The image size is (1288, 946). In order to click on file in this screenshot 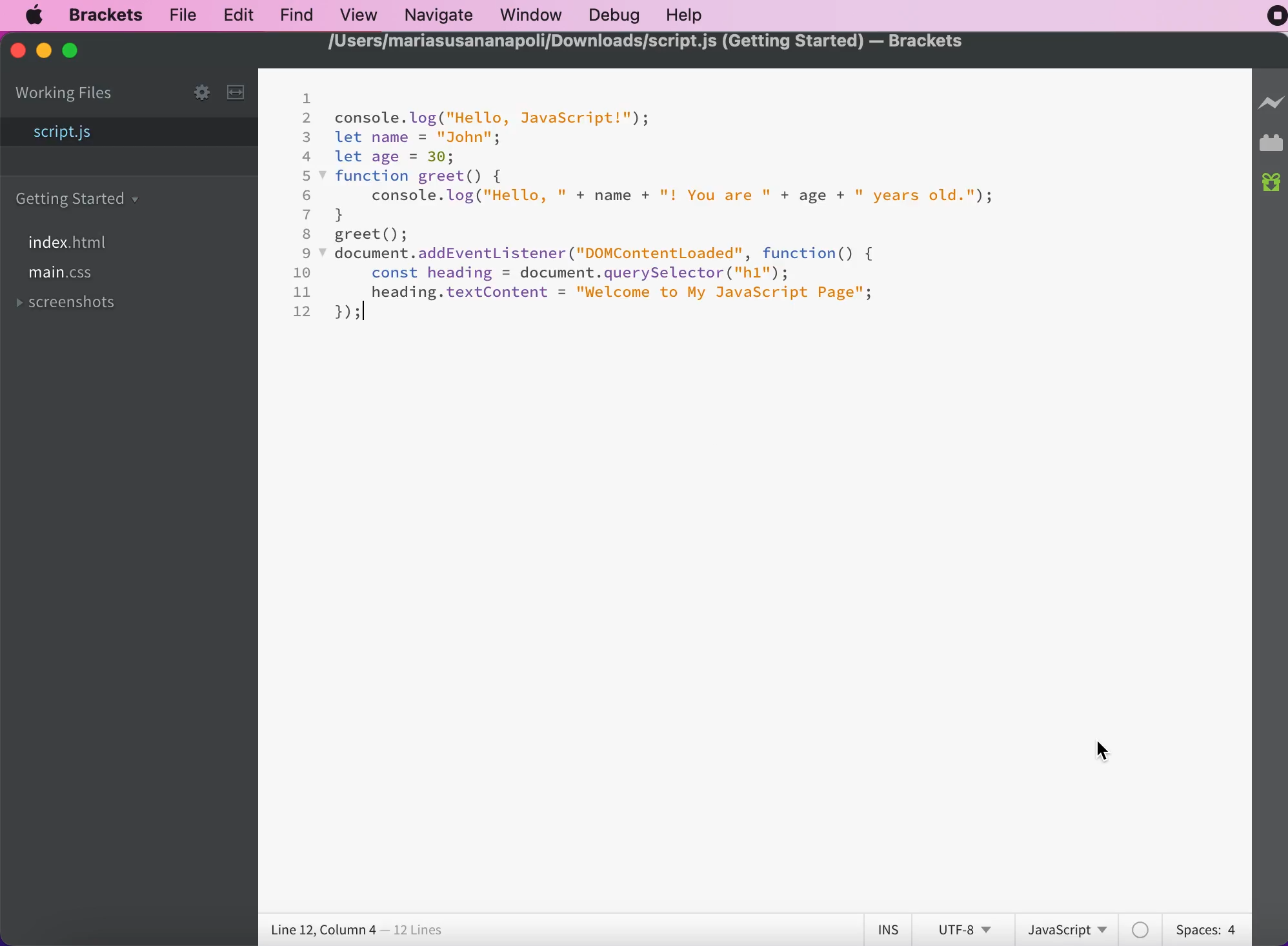, I will do `click(183, 15)`.